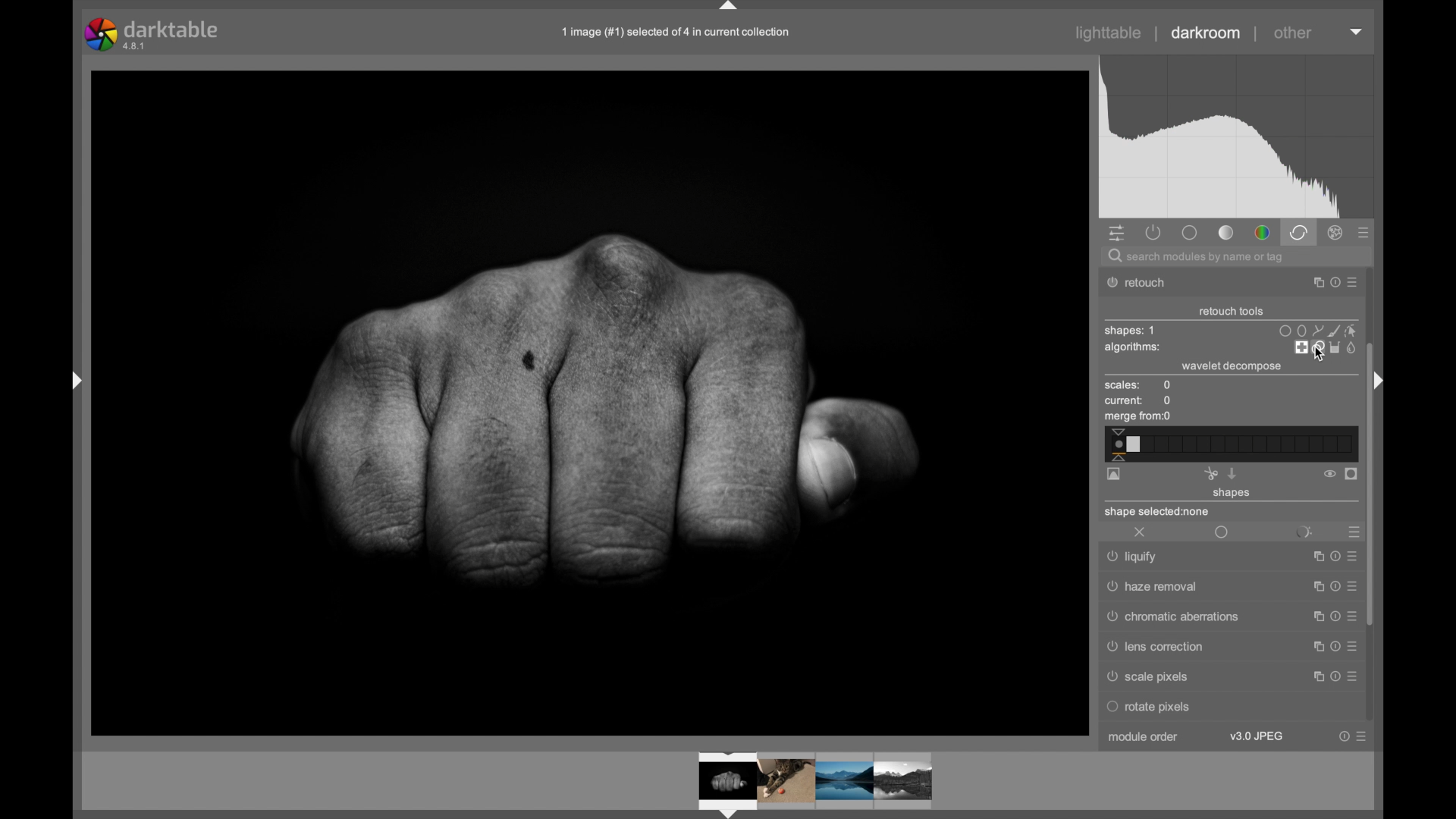 The height and width of the screenshot is (819, 1456). Describe the element at coordinates (1313, 617) in the screenshot. I see `maximize` at that location.